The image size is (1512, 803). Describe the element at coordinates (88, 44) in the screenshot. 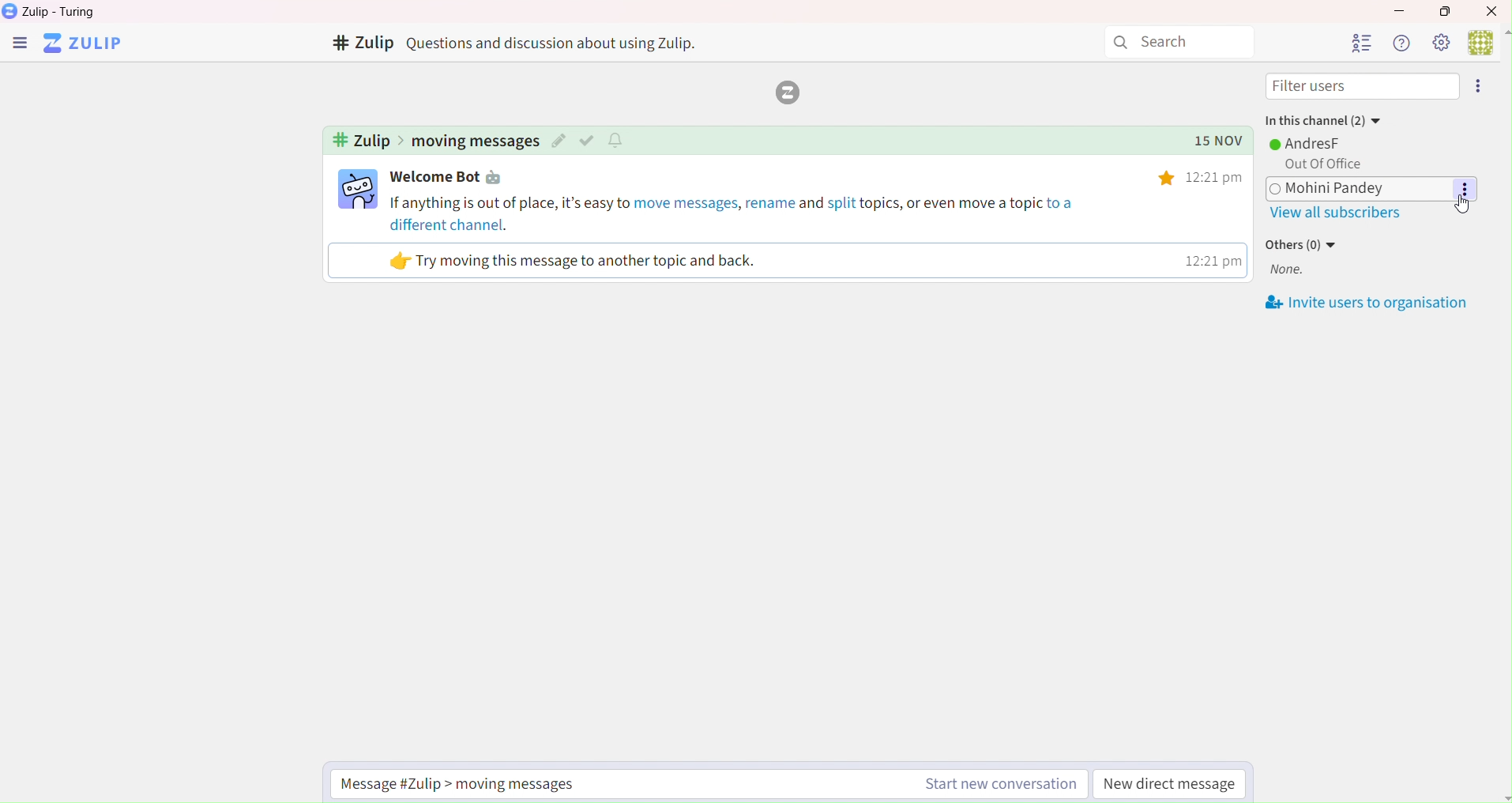

I see `ZuLip` at that location.